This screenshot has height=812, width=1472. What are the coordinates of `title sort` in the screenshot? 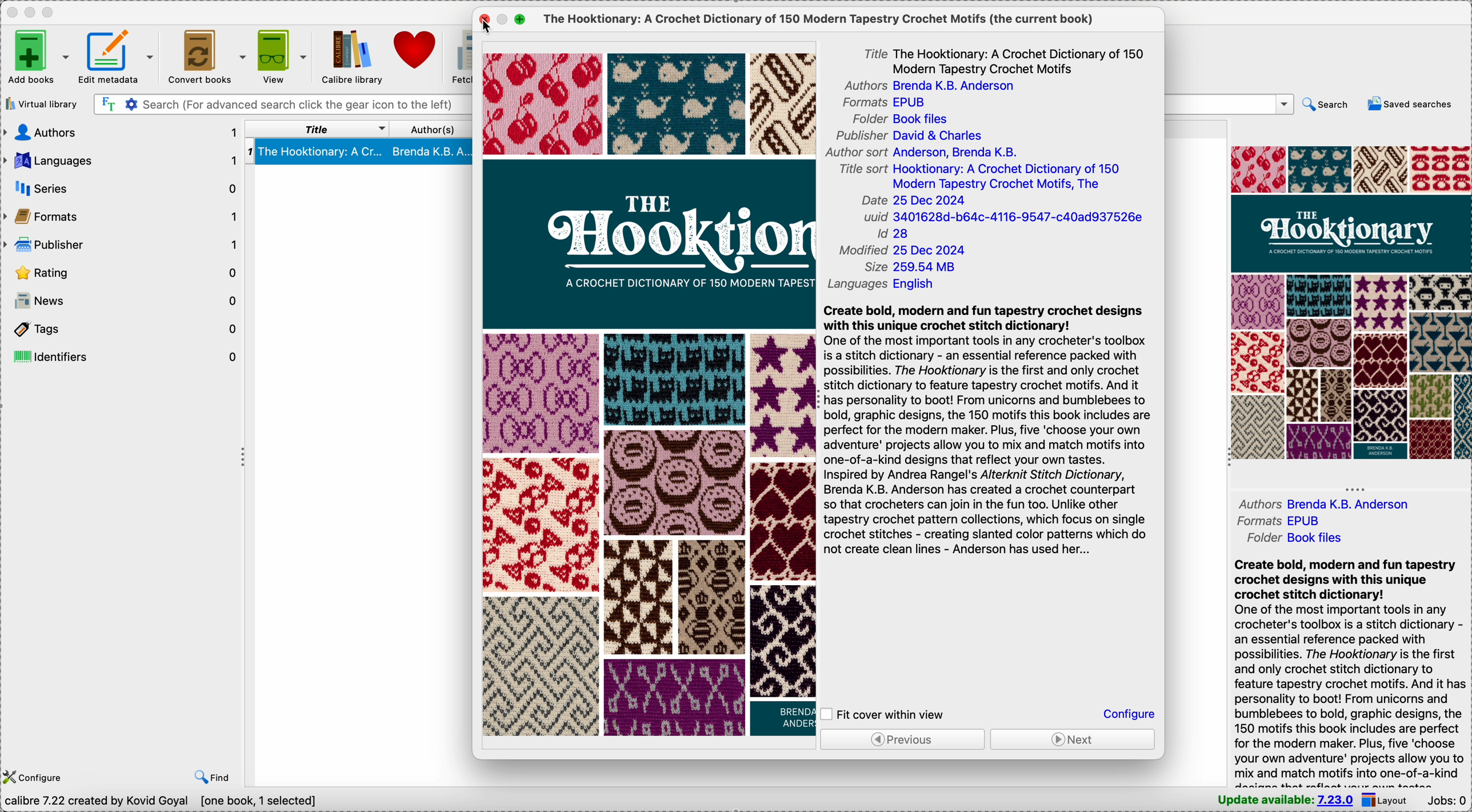 It's located at (981, 177).